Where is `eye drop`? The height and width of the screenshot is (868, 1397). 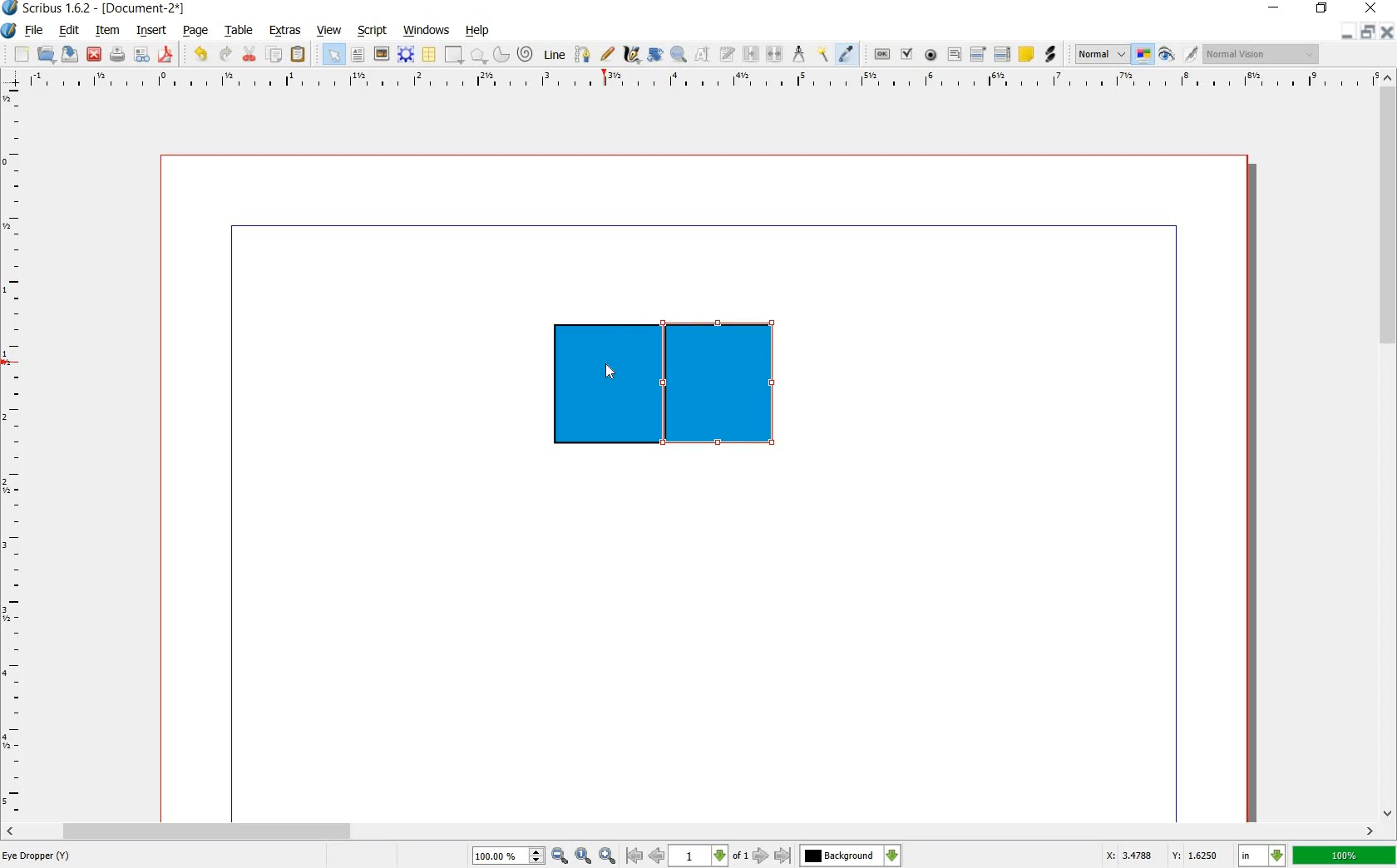
eye drop is located at coordinates (847, 53).